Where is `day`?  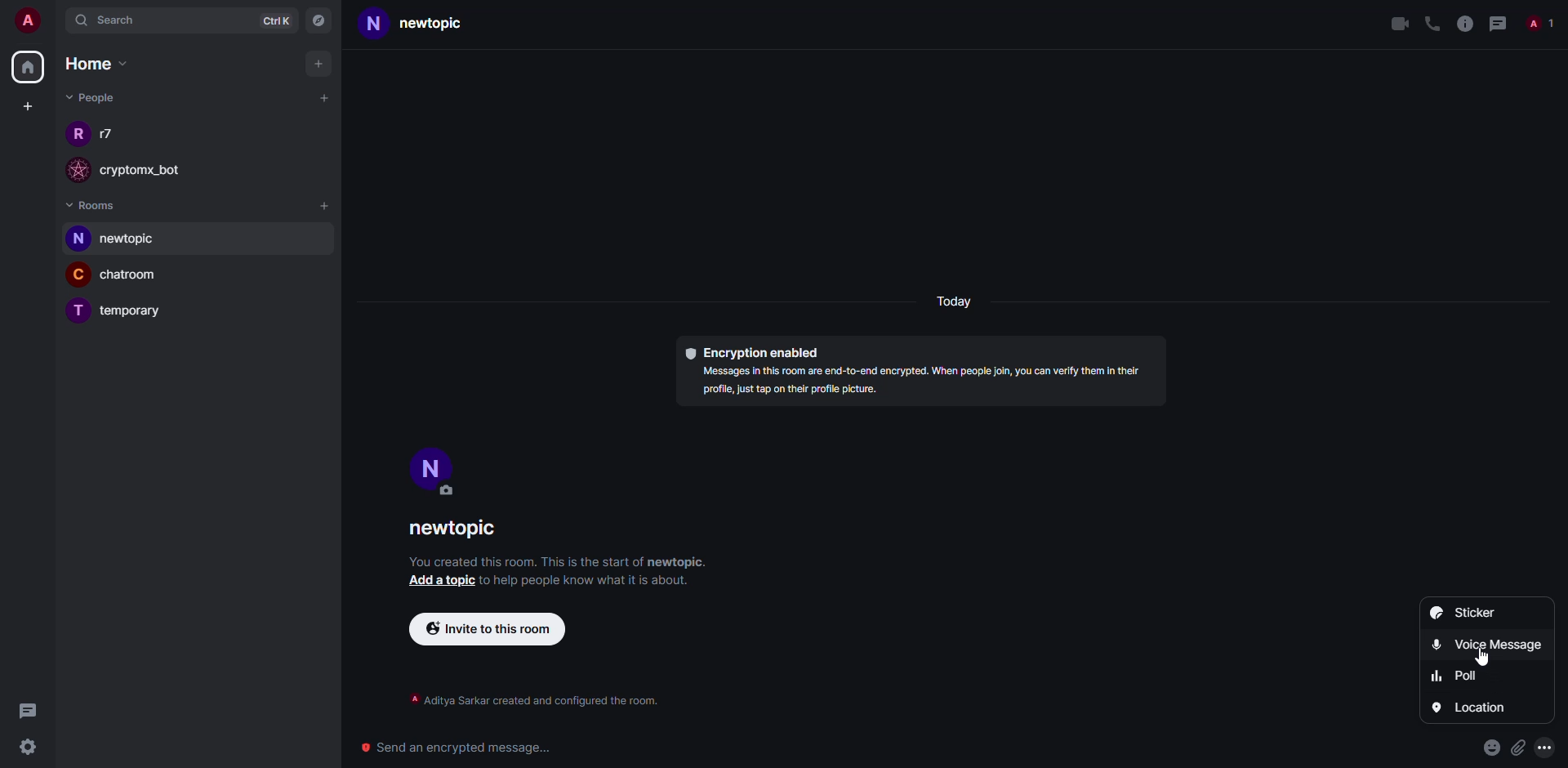 day is located at coordinates (951, 302).